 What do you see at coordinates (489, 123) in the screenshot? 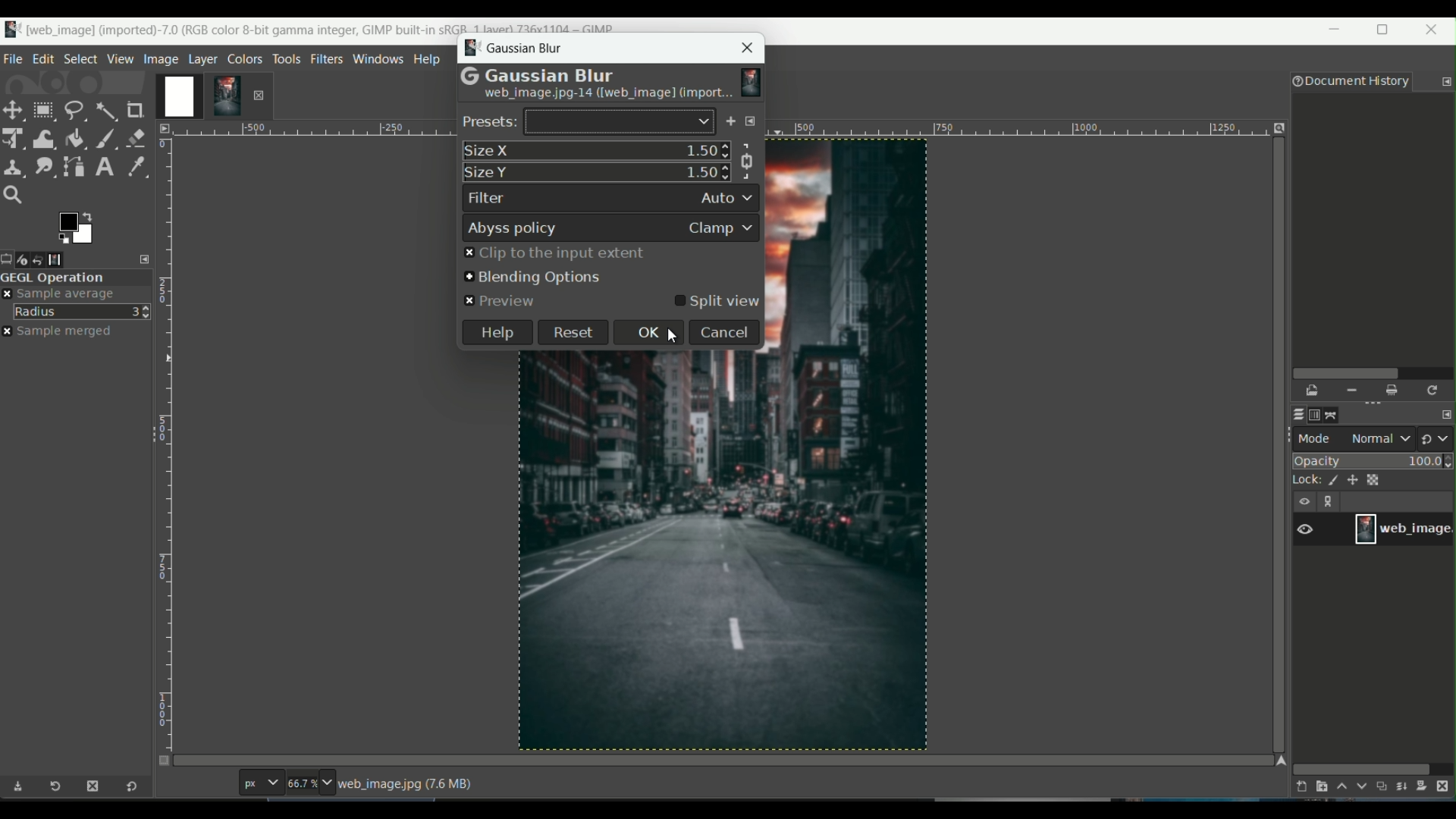
I see `presets` at bounding box center [489, 123].